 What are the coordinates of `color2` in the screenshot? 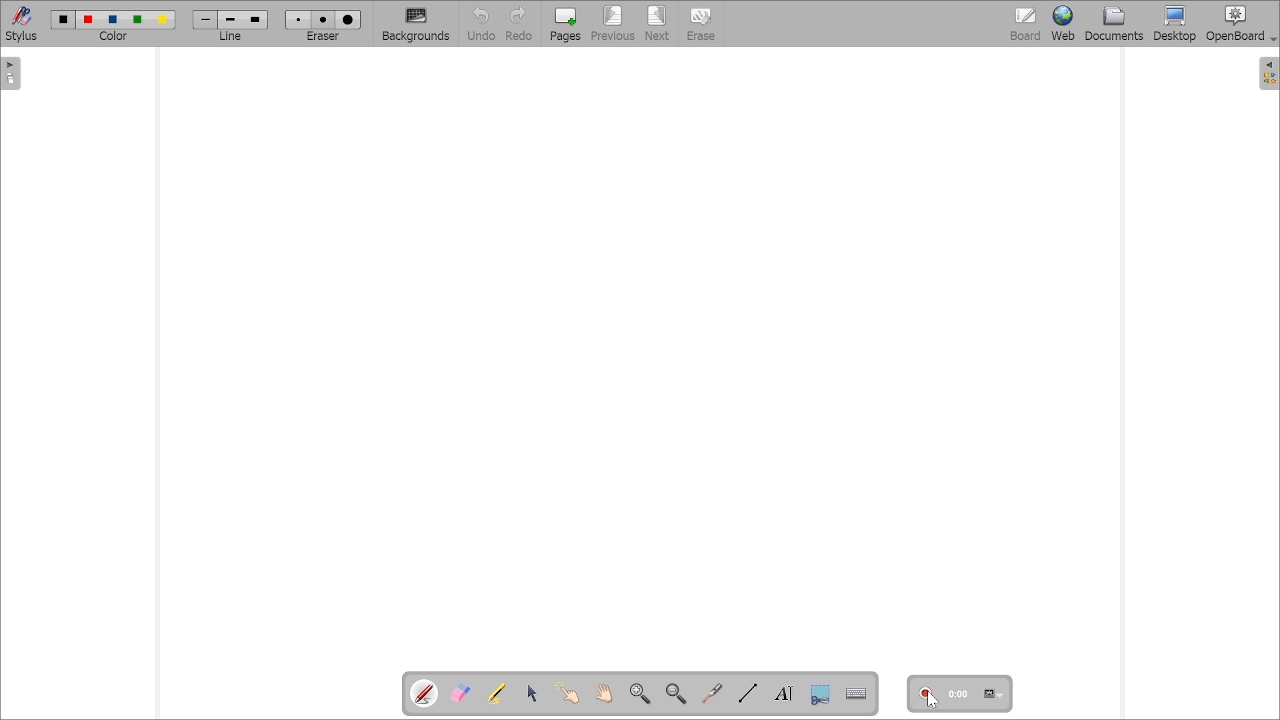 It's located at (88, 19).